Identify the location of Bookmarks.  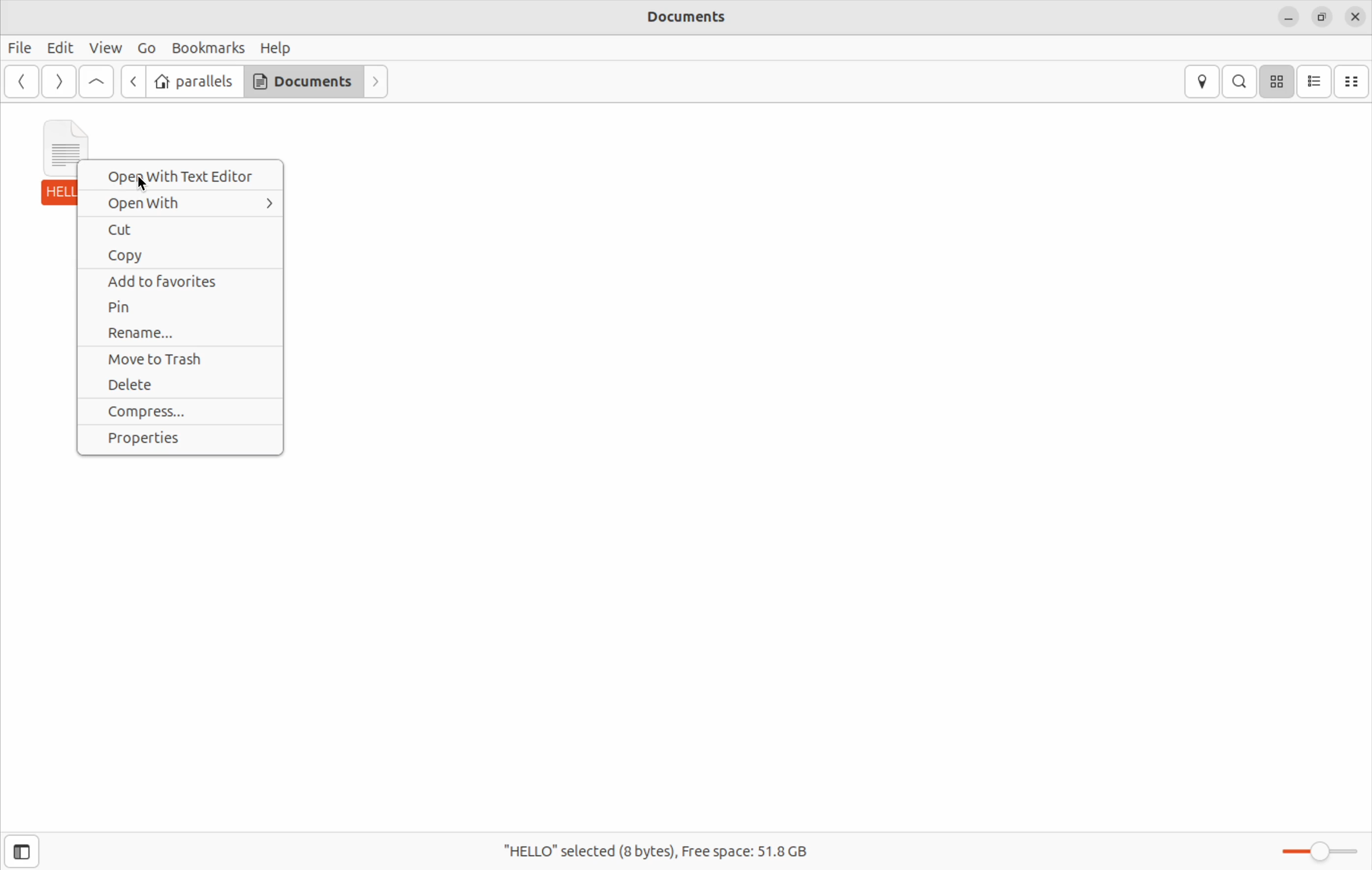
(210, 46).